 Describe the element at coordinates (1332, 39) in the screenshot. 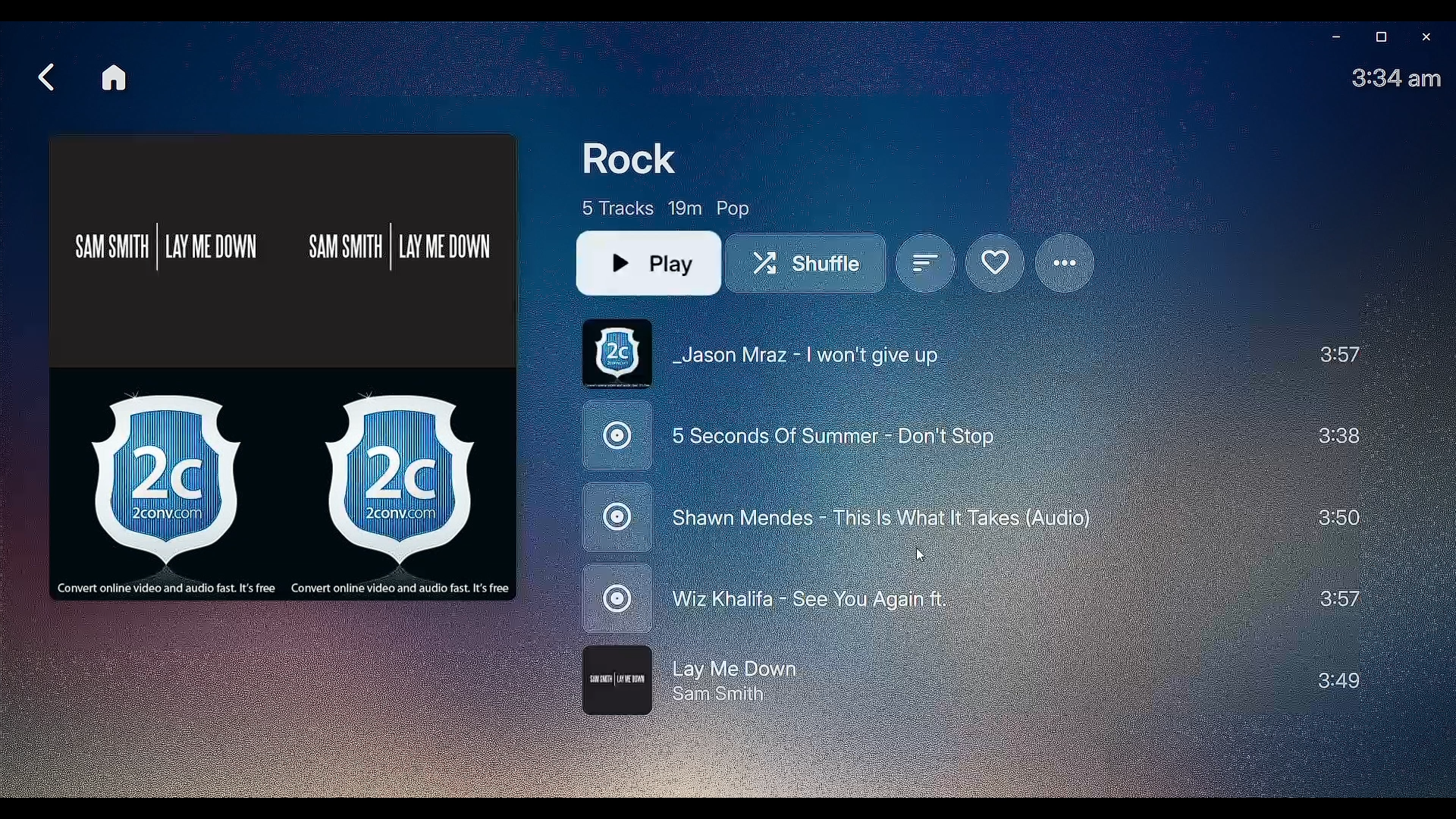

I see `Minimize` at that location.